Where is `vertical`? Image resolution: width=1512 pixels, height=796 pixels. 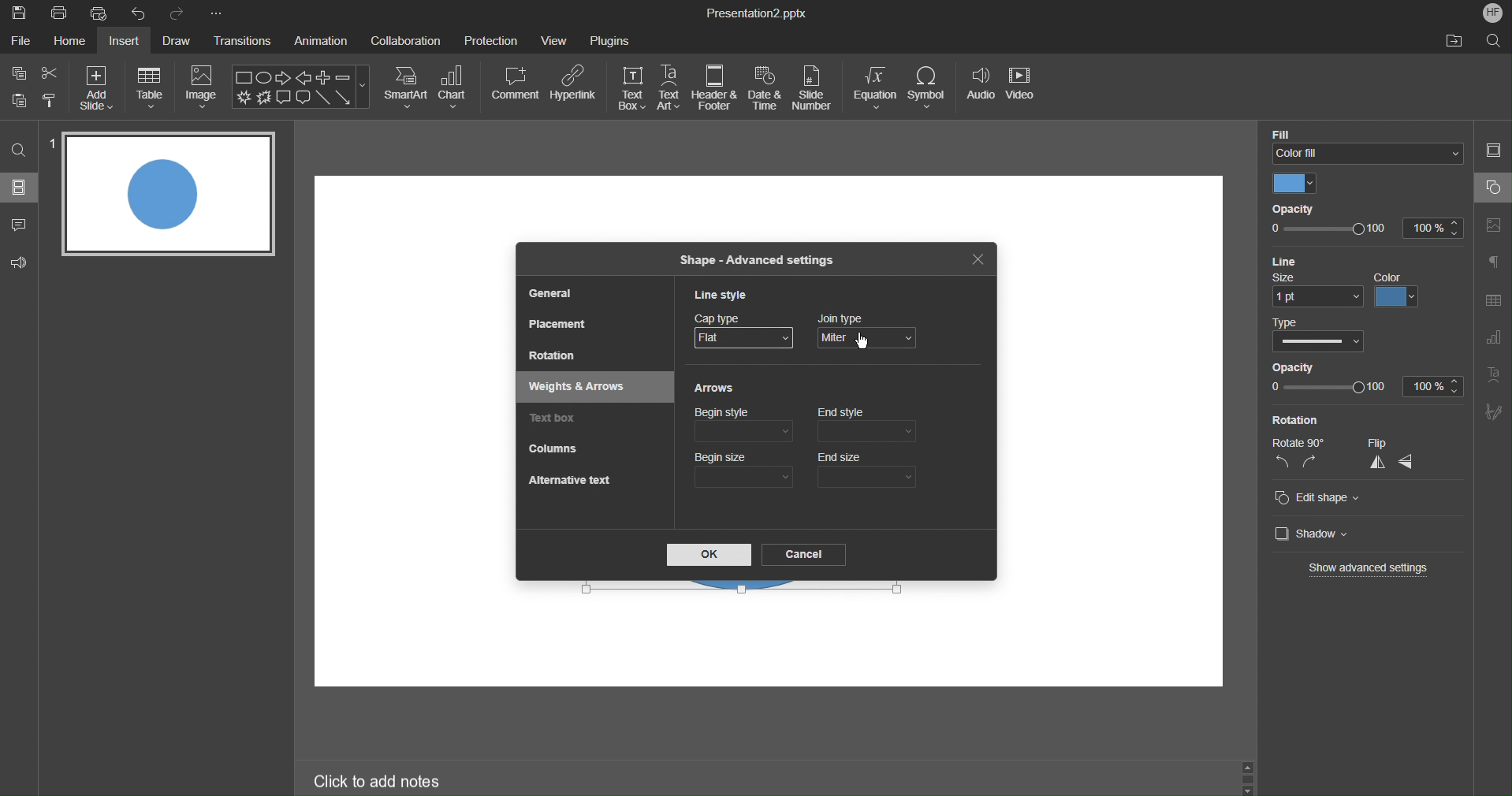
vertical is located at coordinates (1376, 464).